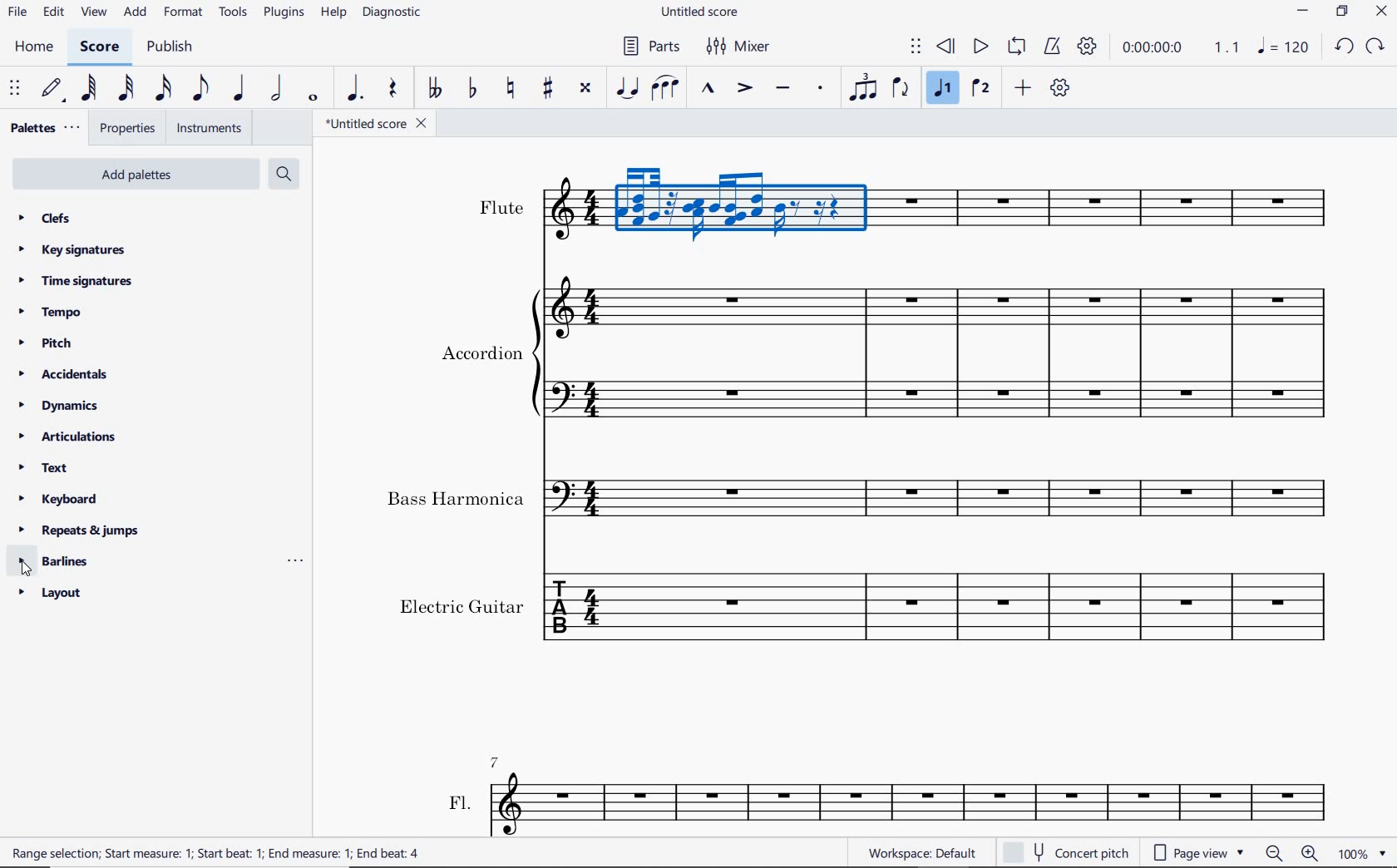 This screenshot has height=868, width=1397. I want to click on 7, so click(499, 760).